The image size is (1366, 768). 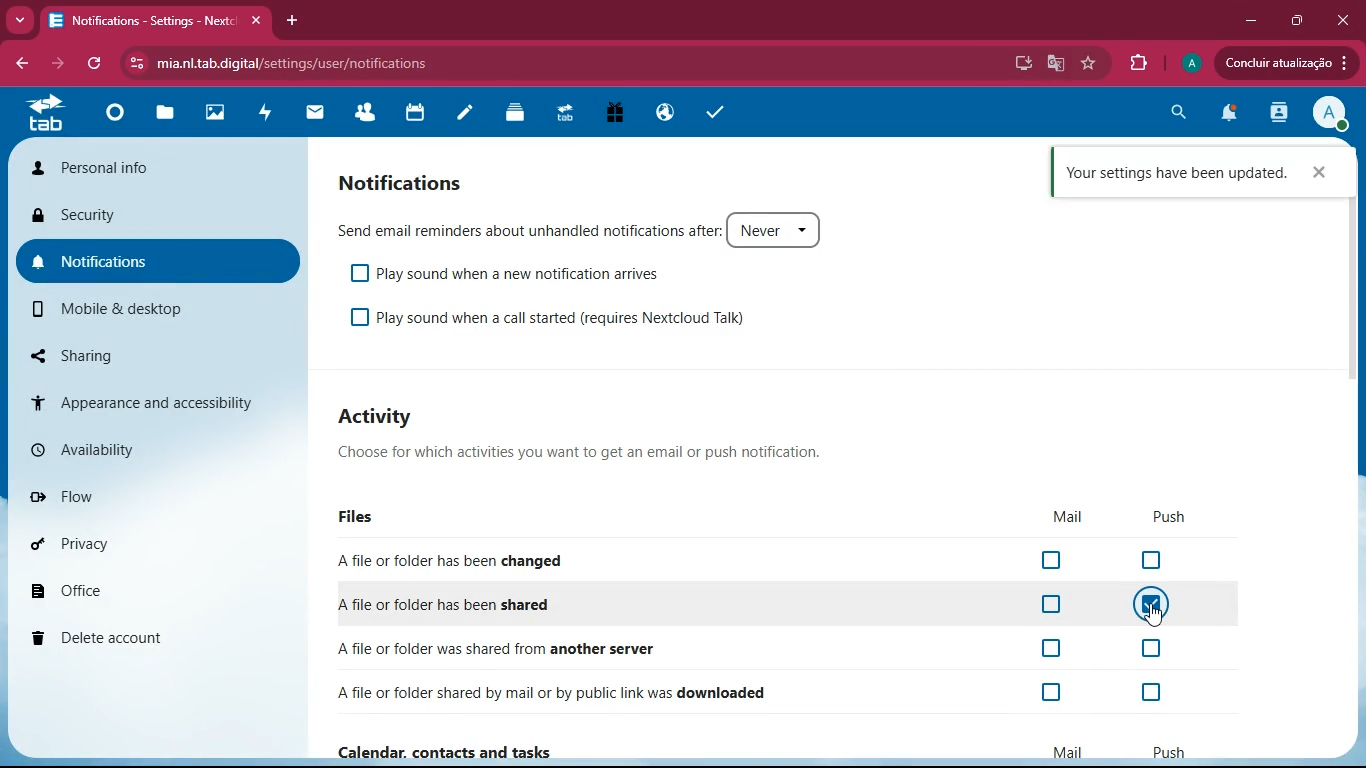 What do you see at coordinates (1281, 63) in the screenshot?
I see `update` at bounding box center [1281, 63].